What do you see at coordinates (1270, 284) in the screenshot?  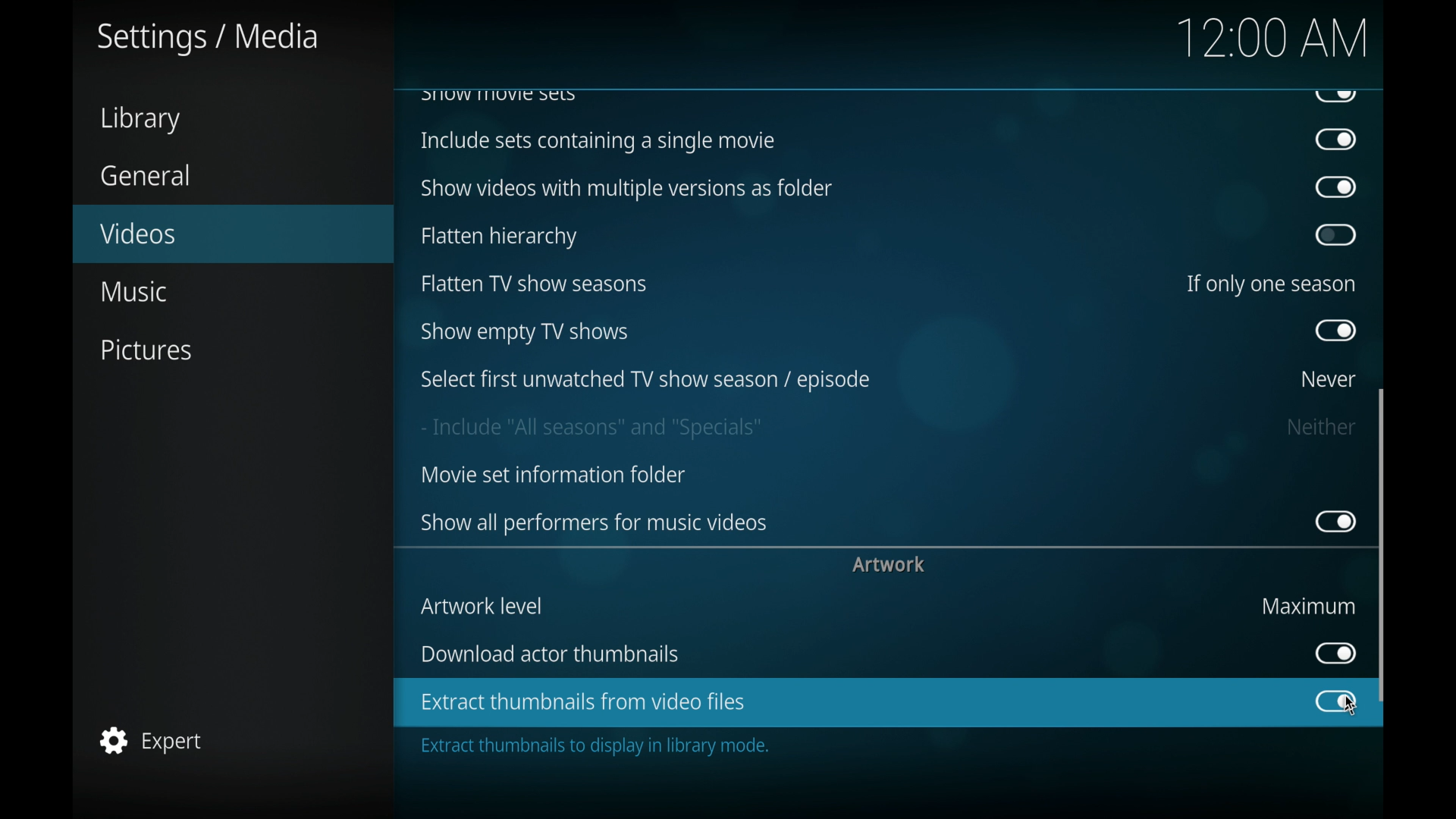 I see `if only one season` at bounding box center [1270, 284].